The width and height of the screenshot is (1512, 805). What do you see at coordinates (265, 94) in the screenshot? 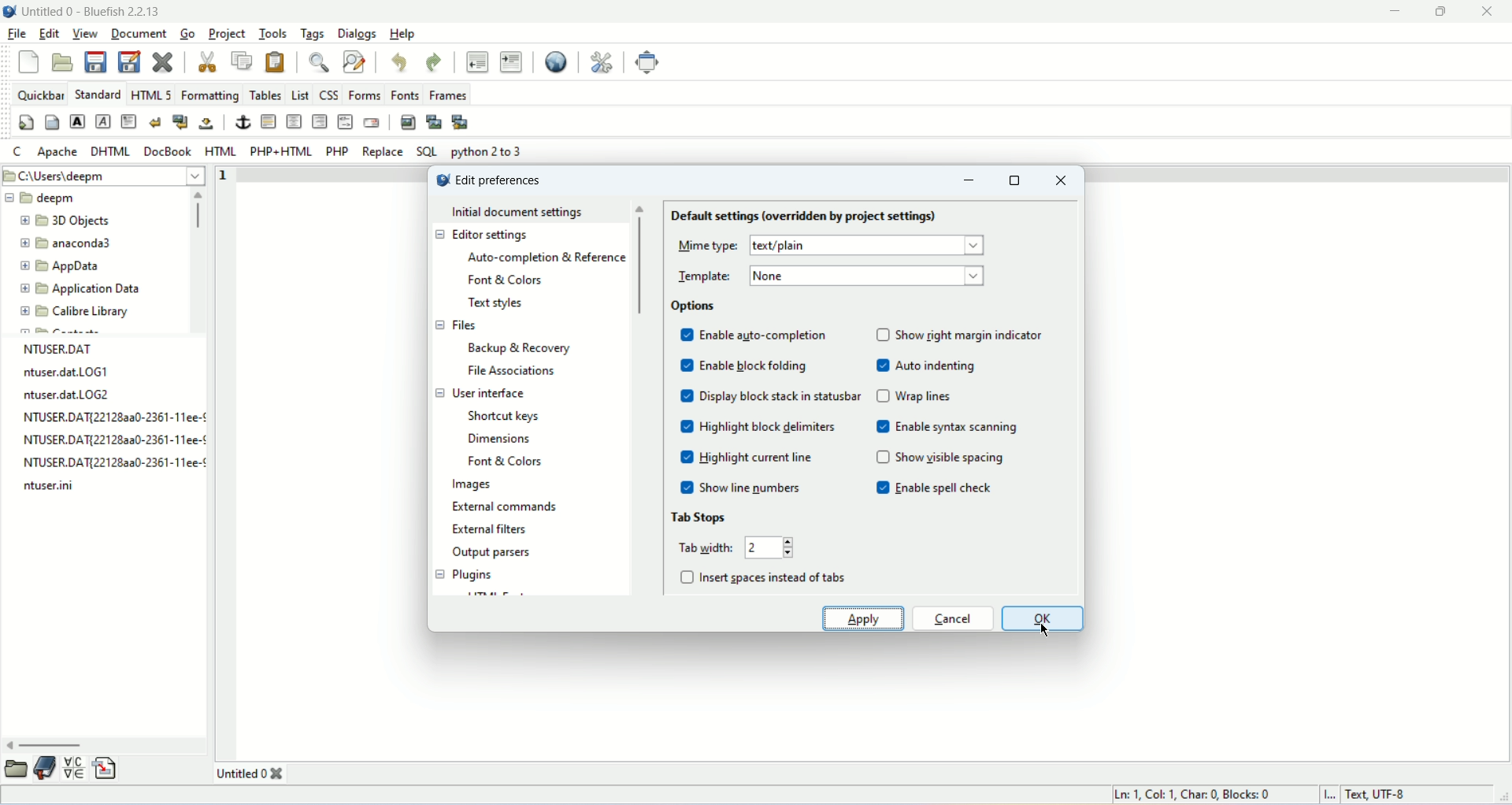
I see `tables` at bounding box center [265, 94].